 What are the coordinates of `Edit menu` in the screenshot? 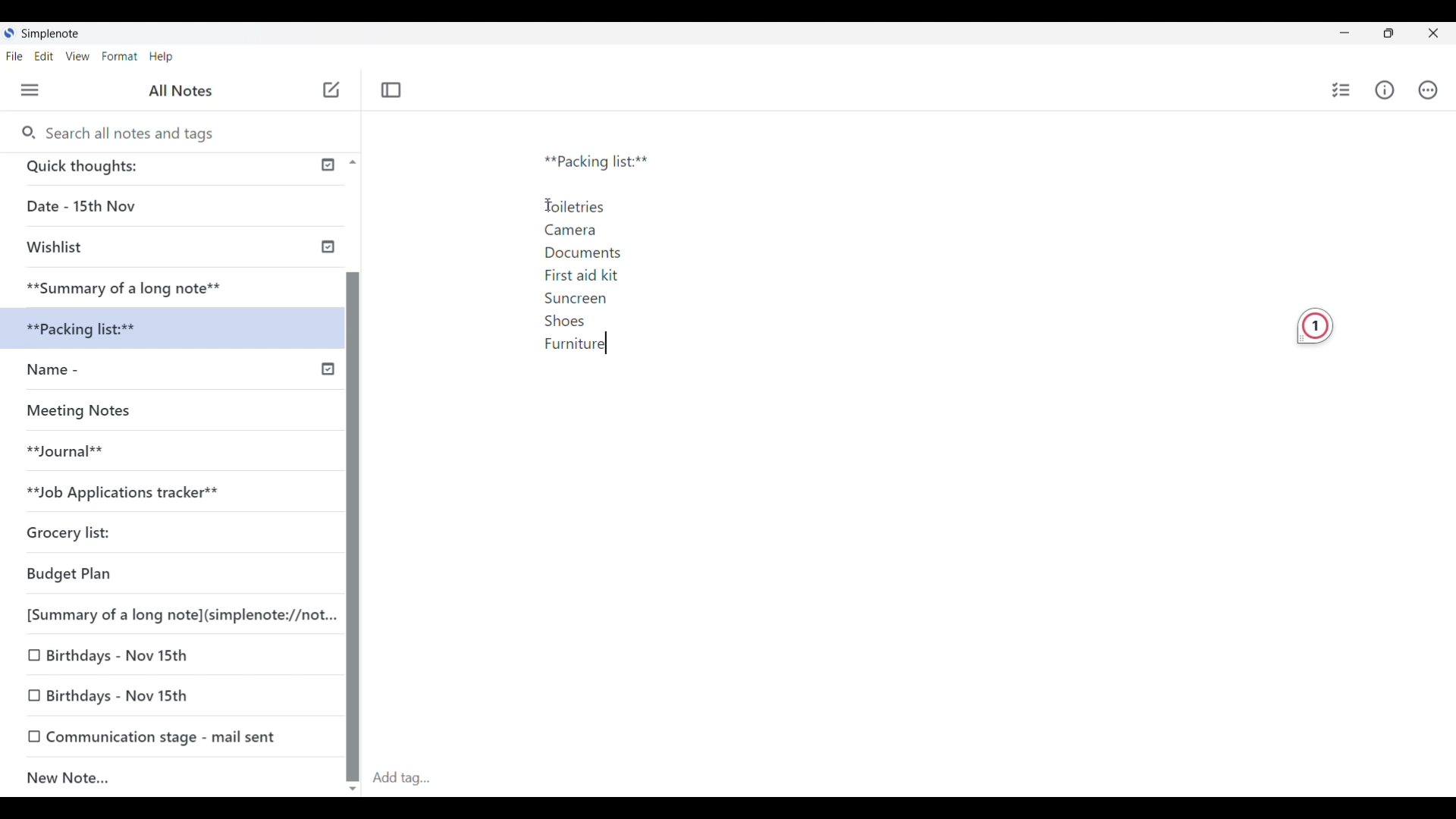 It's located at (45, 56).